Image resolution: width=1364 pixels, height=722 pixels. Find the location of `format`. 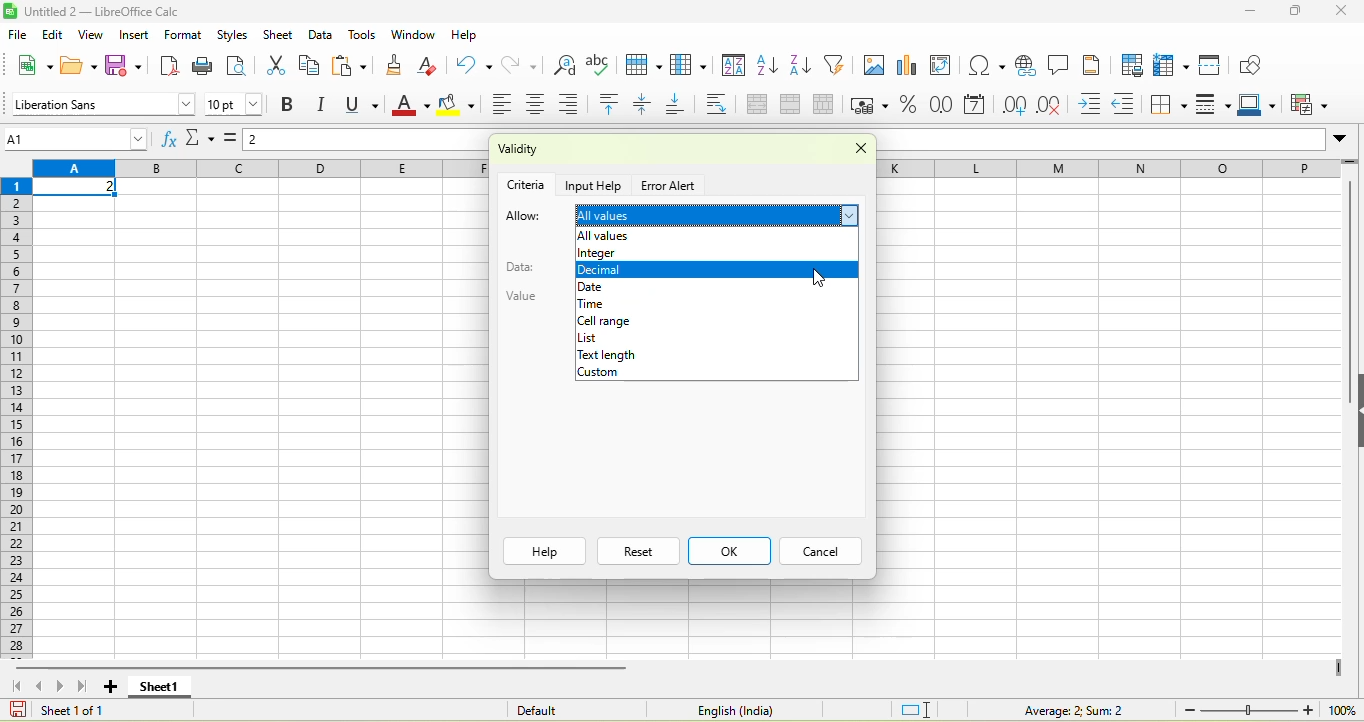

format is located at coordinates (186, 34).